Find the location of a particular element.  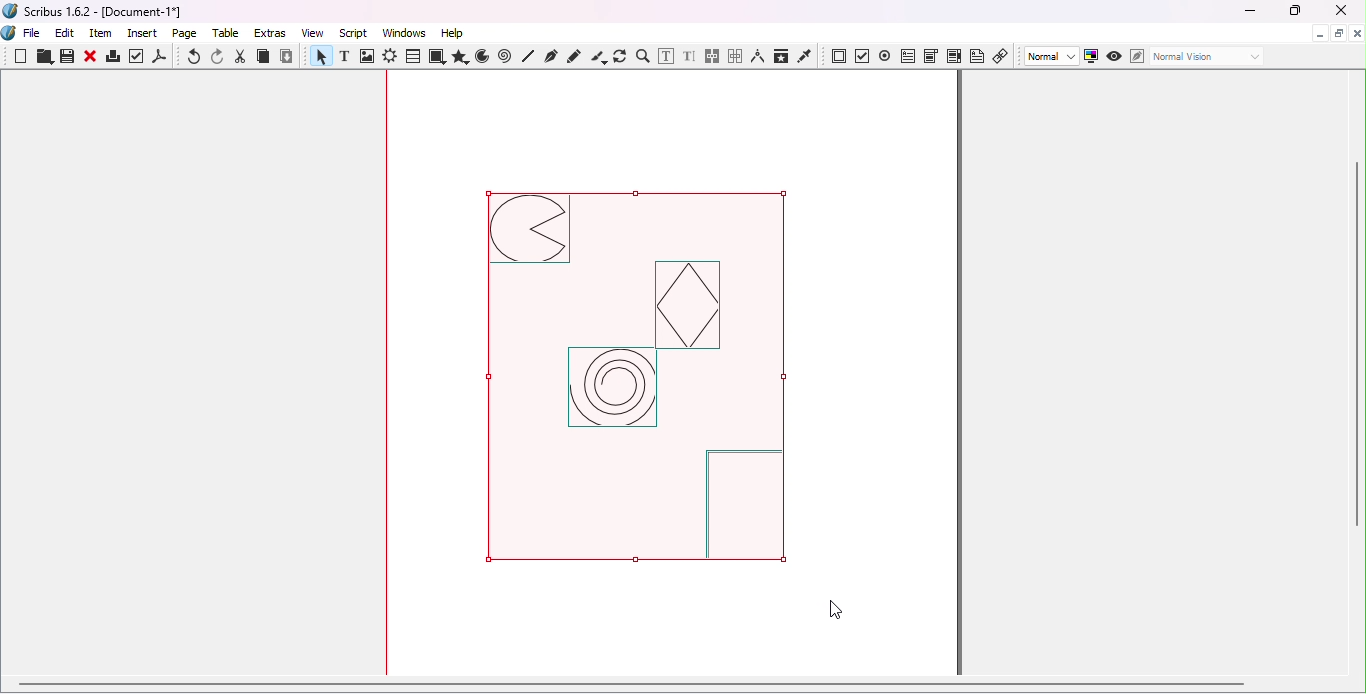

Select the visual appearance of the display is located at coordinates (1206, 57).